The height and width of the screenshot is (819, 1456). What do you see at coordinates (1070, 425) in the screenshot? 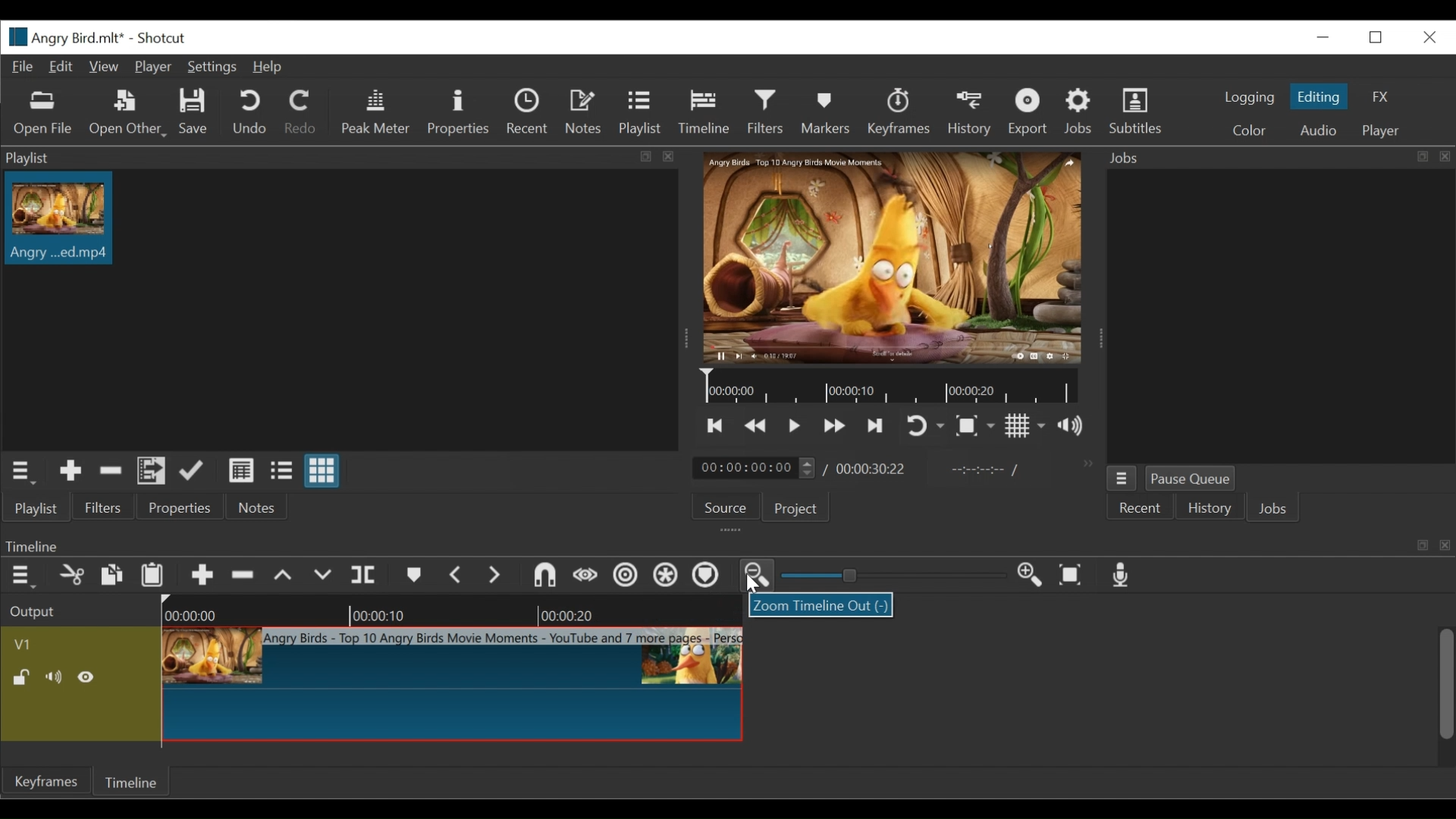
I see `Sow volume control` at bounding box center [1070, 425].